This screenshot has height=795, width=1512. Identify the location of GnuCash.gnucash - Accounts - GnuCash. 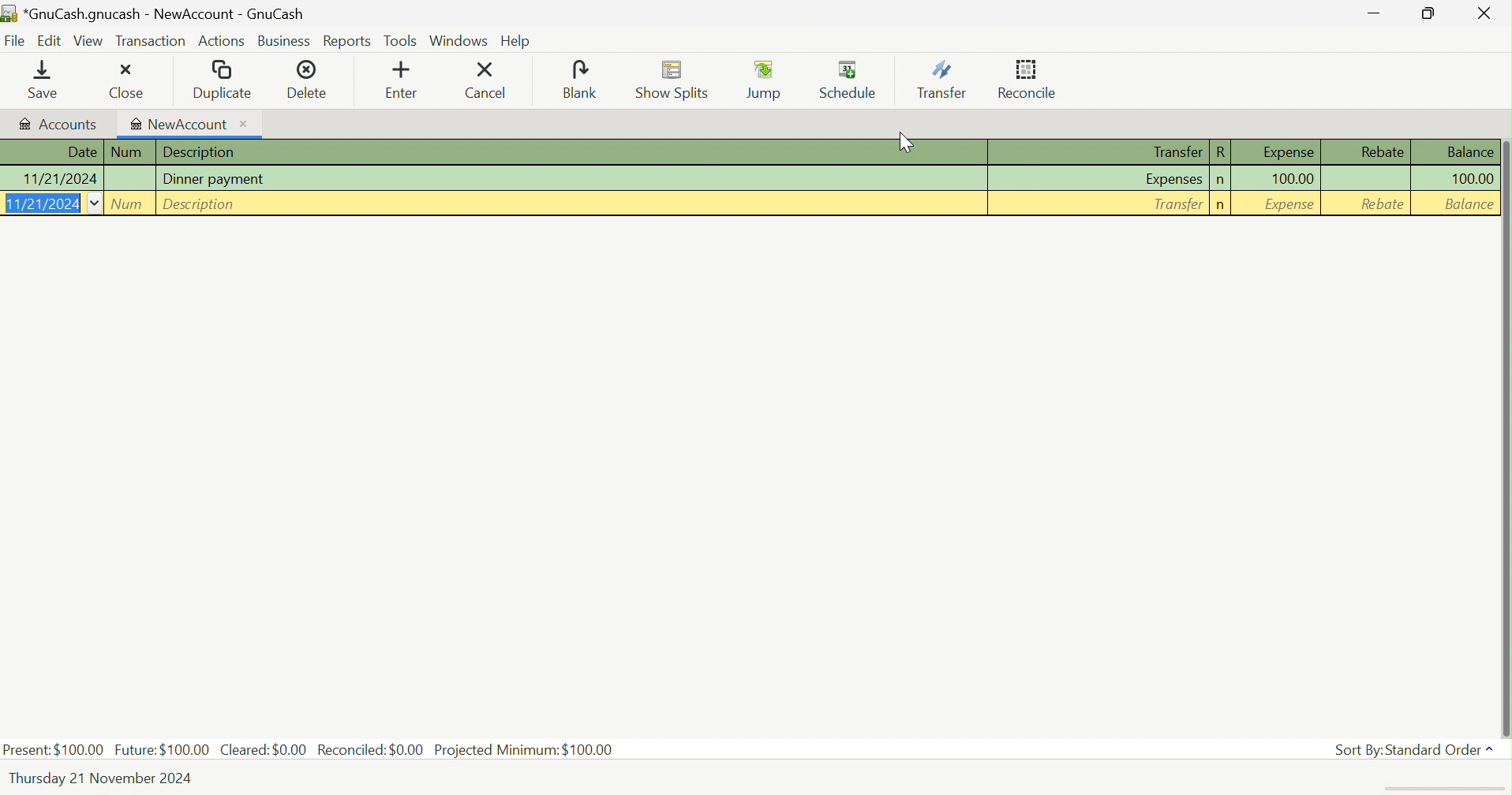
(156, 12).